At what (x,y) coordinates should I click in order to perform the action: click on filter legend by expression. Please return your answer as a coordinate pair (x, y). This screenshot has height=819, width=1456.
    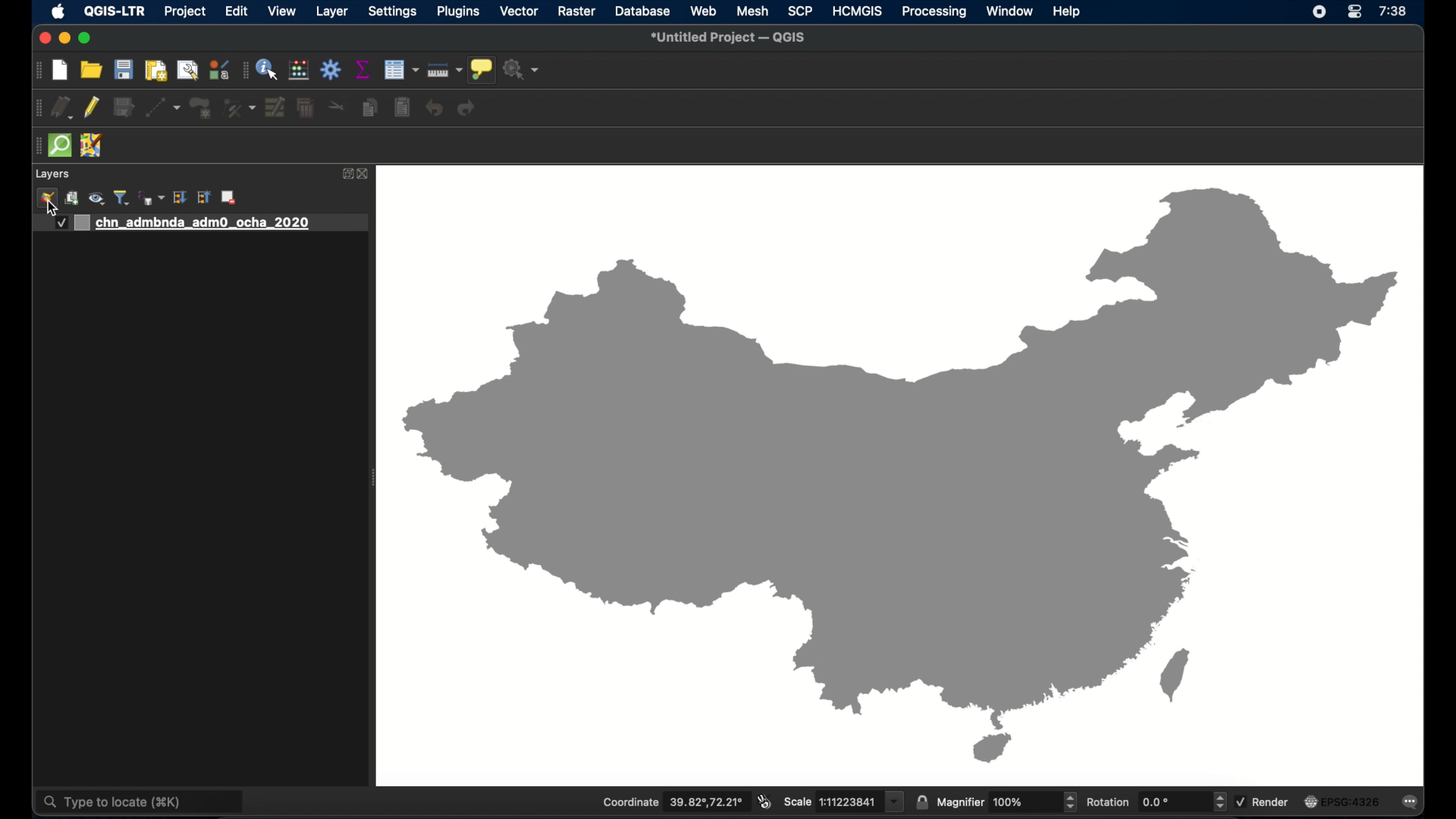
    Looking at the image, I should click on (152, 198).